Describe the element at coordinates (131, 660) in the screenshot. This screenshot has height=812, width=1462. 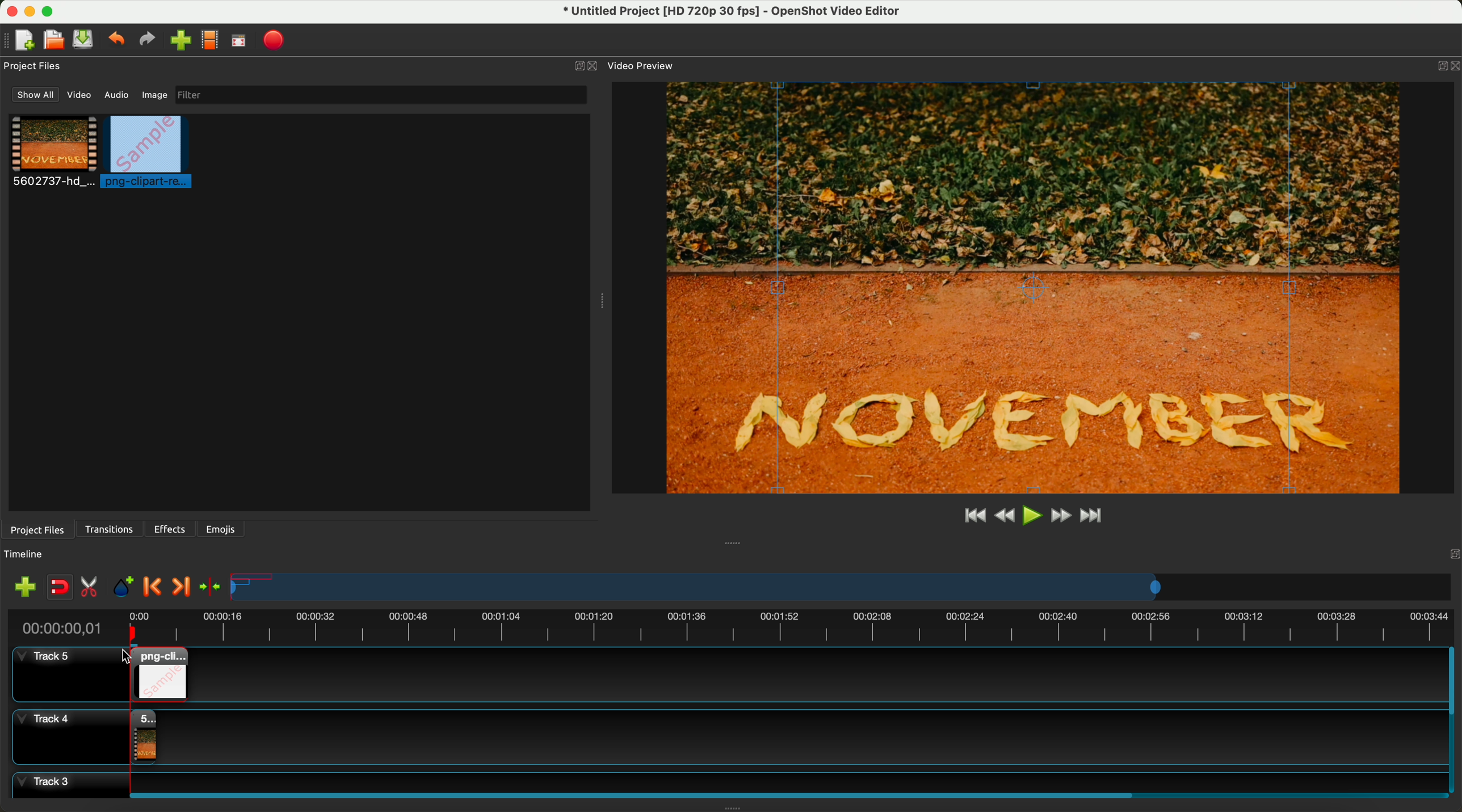
I see `Cursor` at that location.